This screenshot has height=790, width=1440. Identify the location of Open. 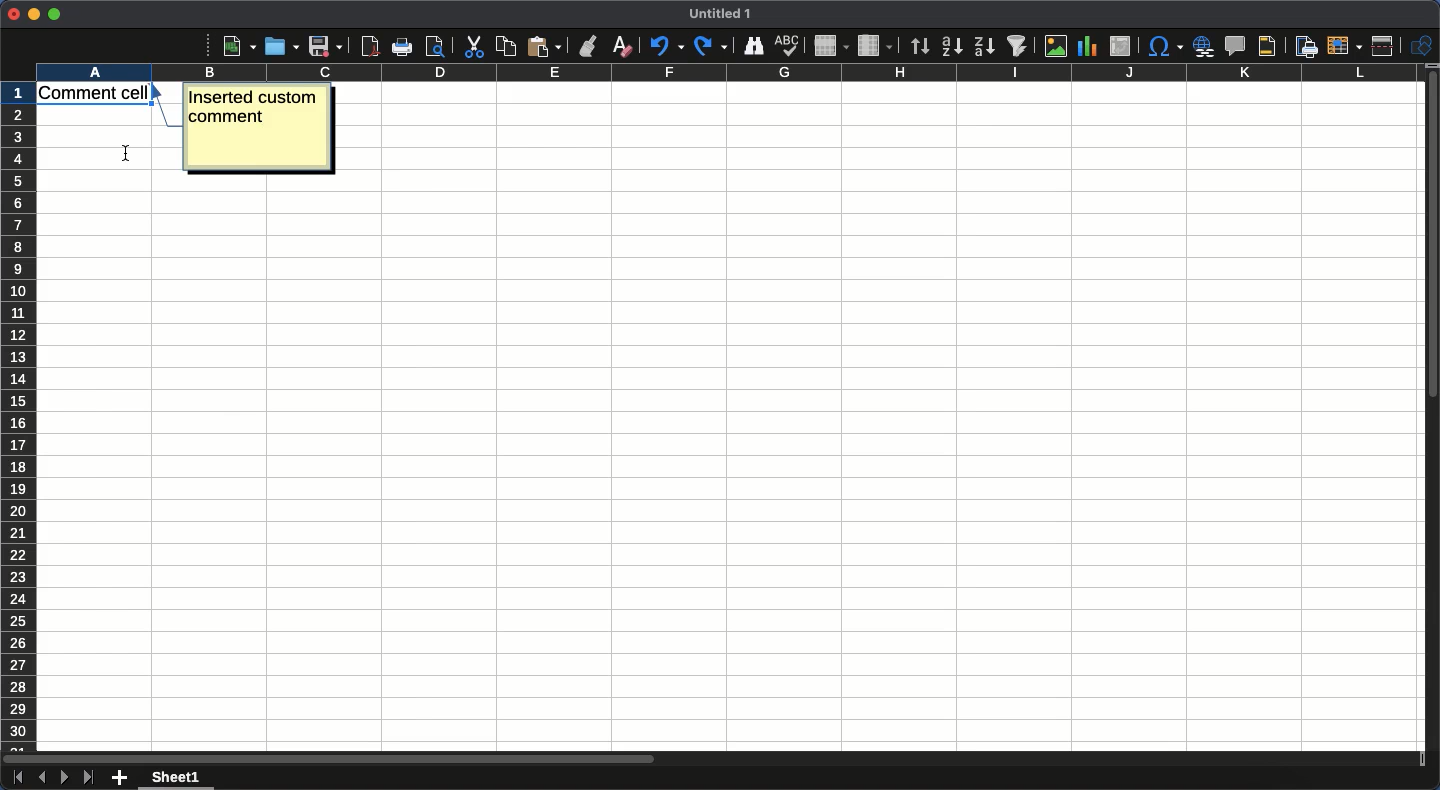
(281, 48).